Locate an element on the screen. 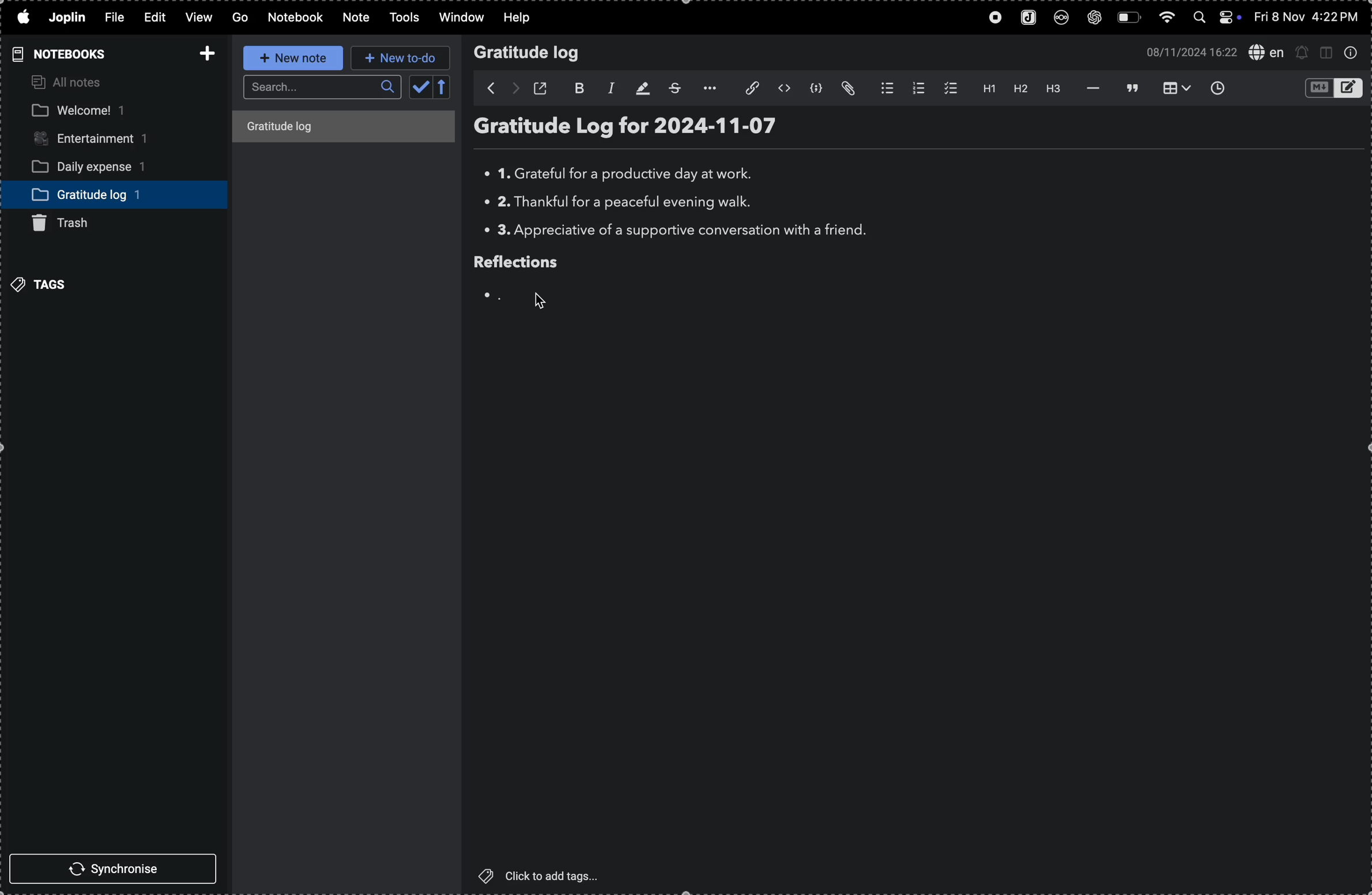 The height and width of the screenshot is (895, 1372). heading 2 is located at coordinates (1019, 89).